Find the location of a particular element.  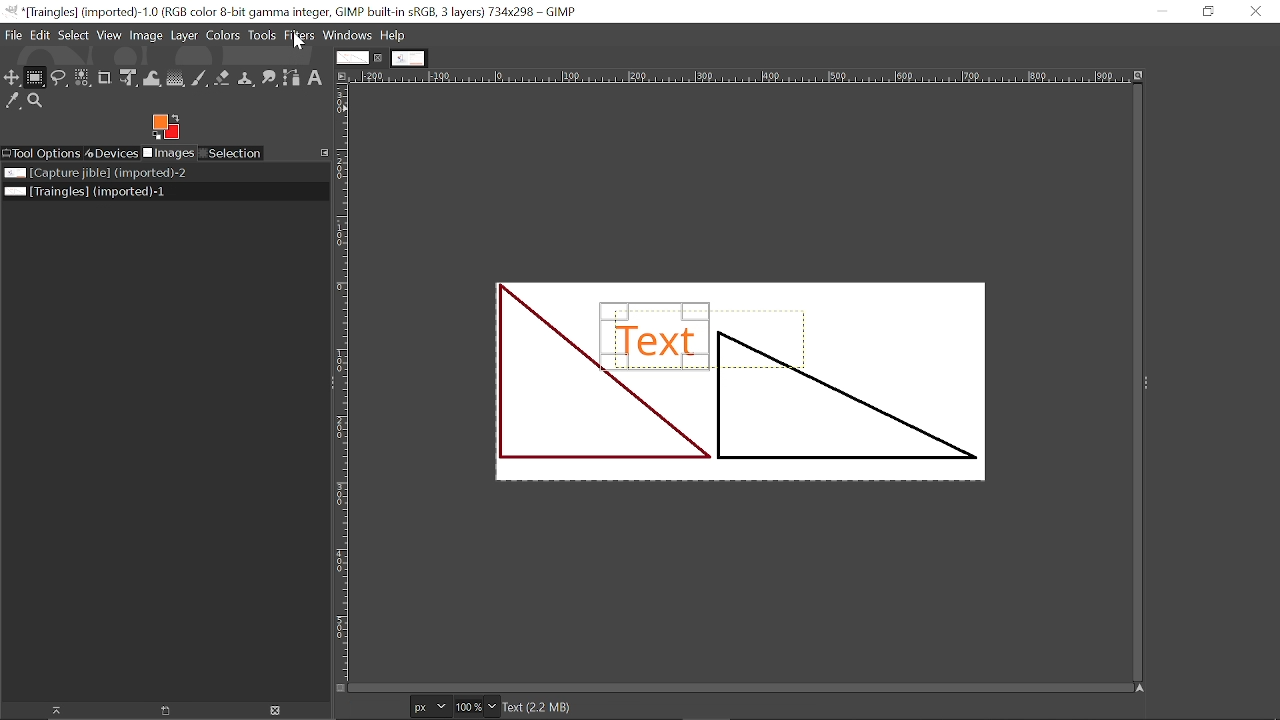

Free select is located at coordinates (60, 77).